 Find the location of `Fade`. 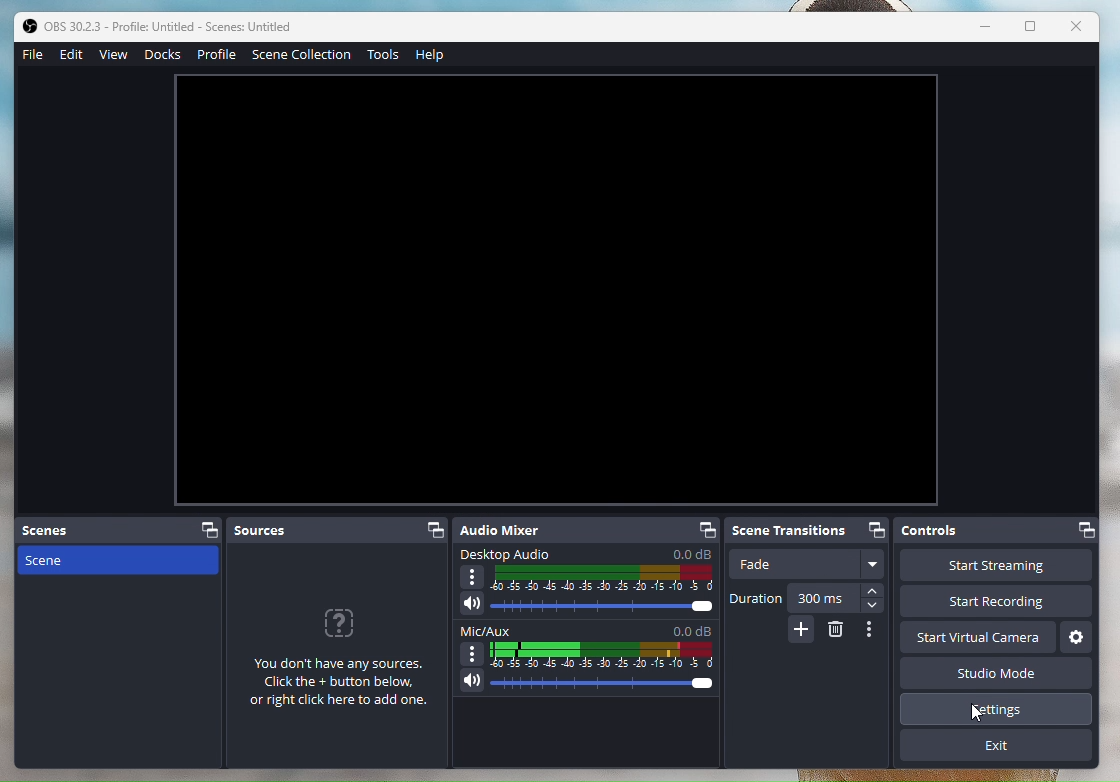

Fade is located at coordinates (806, 564).